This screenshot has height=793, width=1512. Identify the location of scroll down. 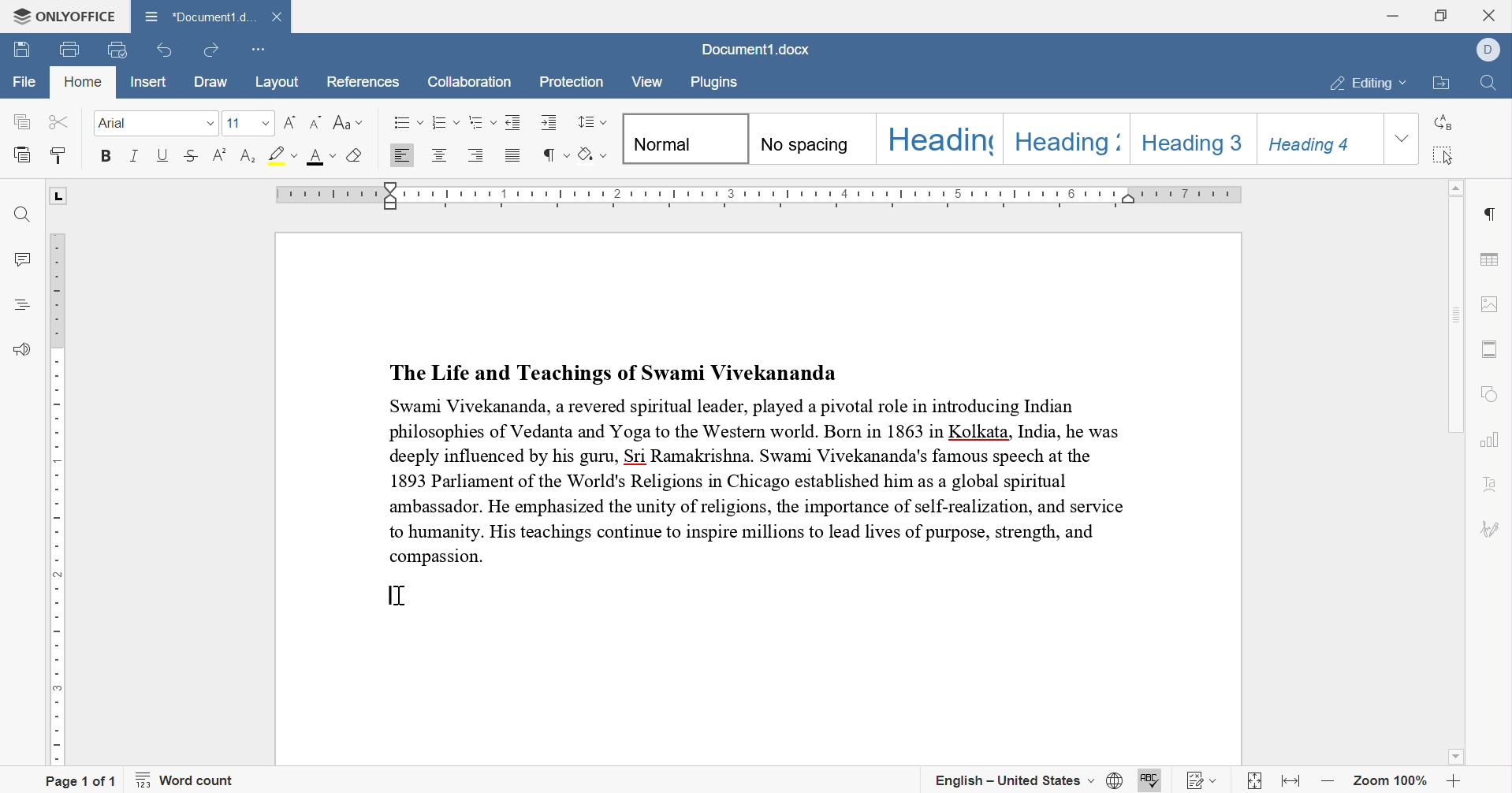
(1455, 756).